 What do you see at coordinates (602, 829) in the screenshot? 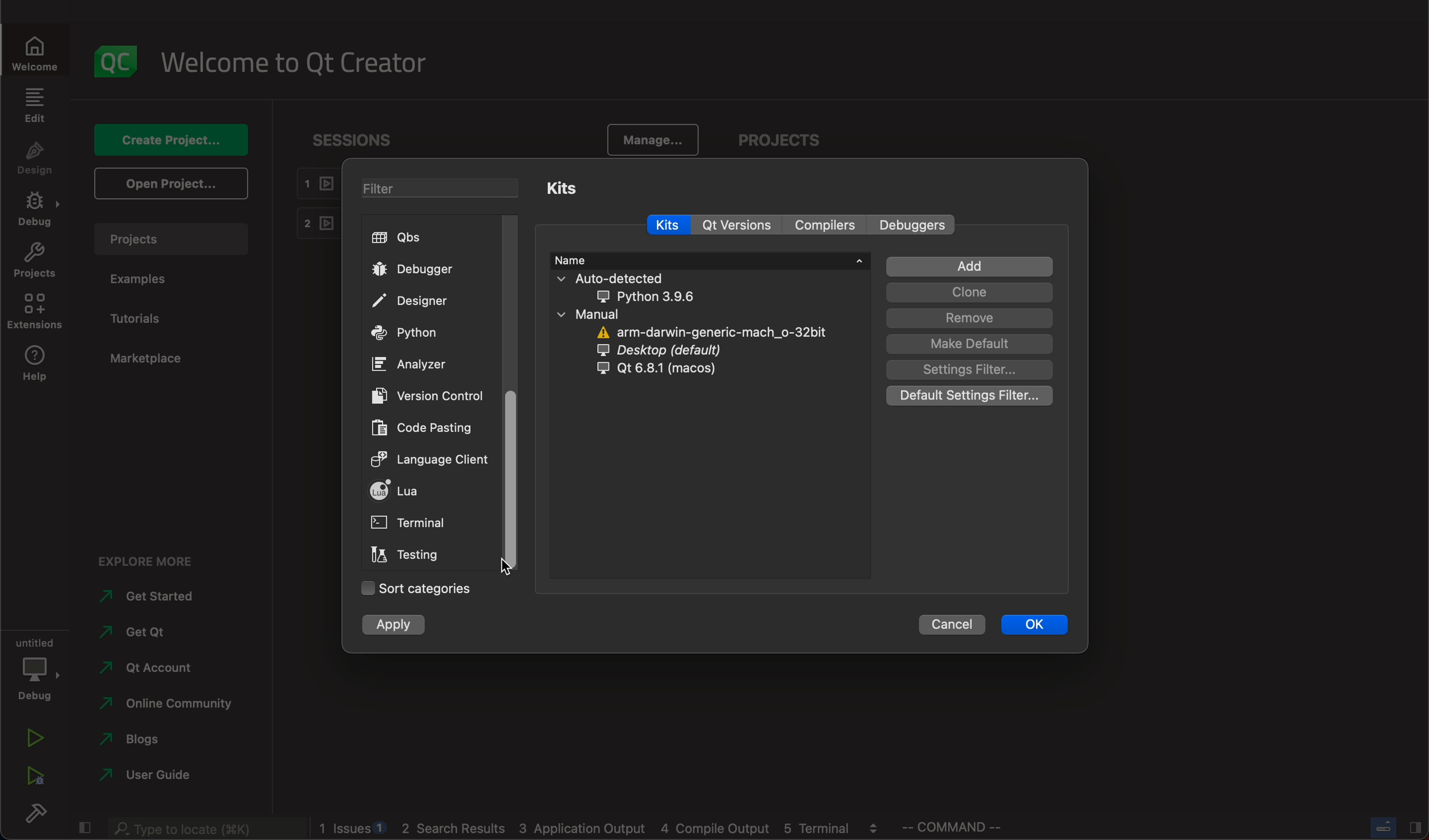
I see `logs` at bounding box center [602, 829].